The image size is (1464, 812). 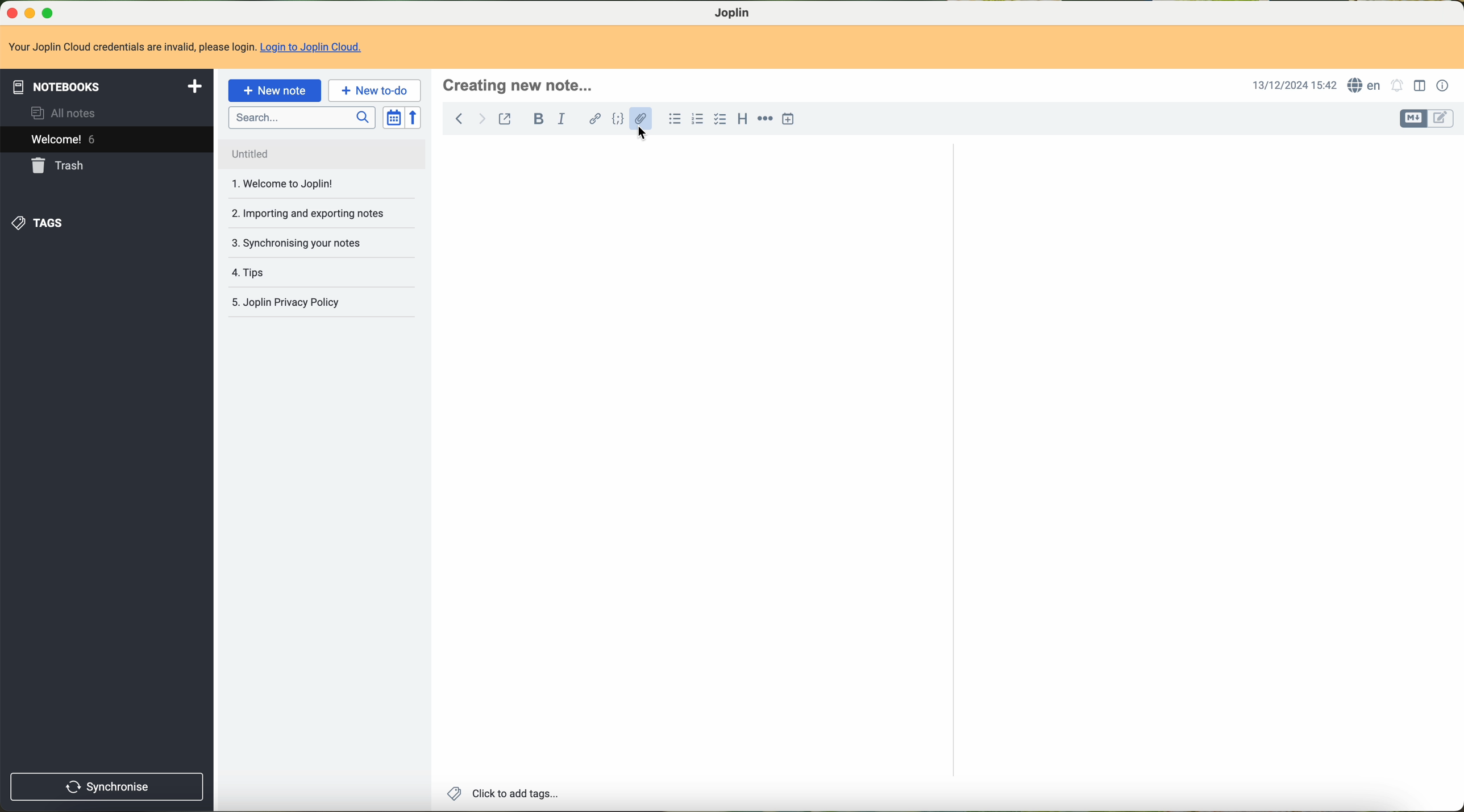 What do you see at coordinates (190, 48) in the screenshot?
I see `Your Joplin Cloud credentials are invalid, please login. Login to Joplin Cloud` at bounding box center [190, 48].